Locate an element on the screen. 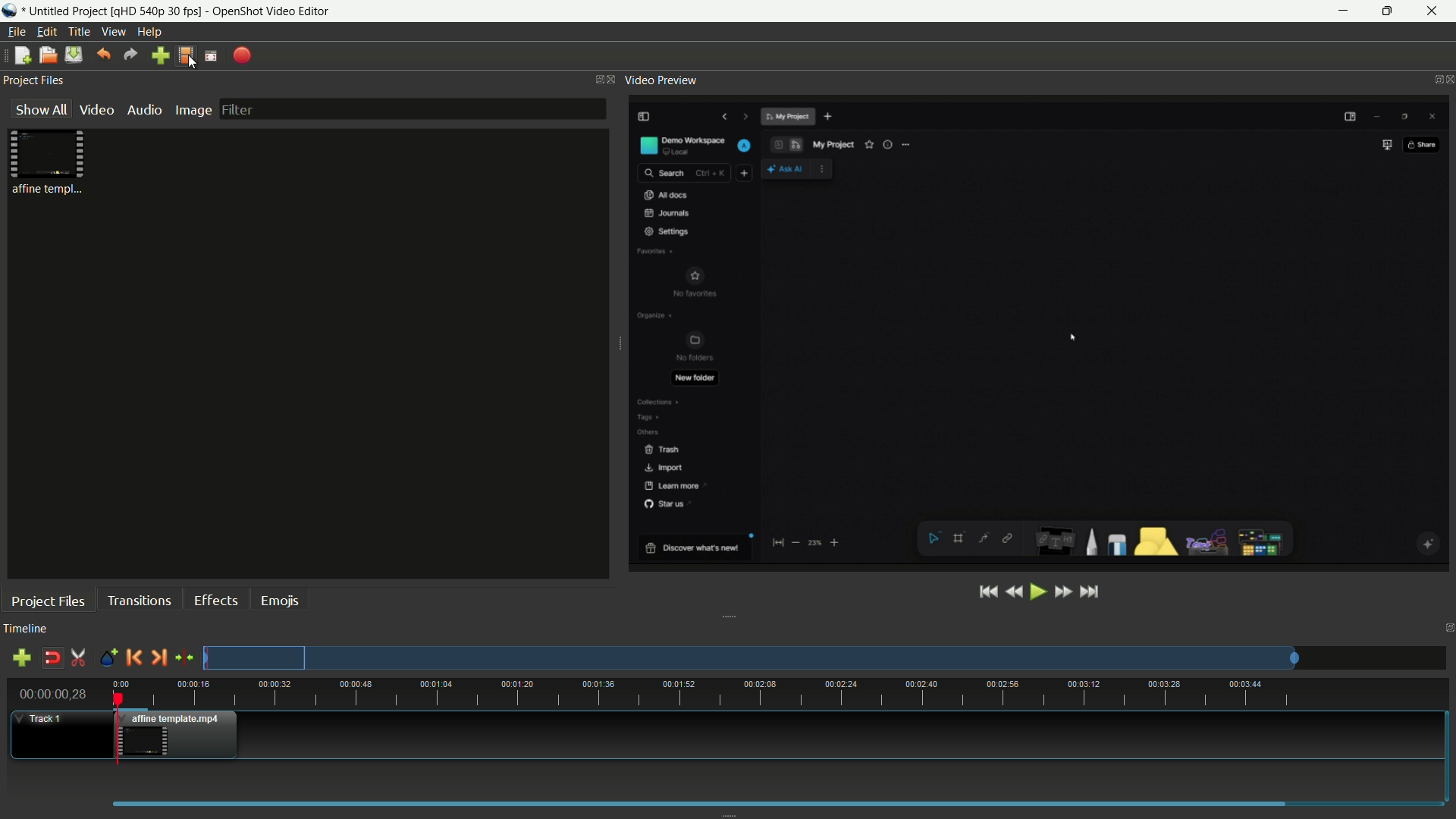 This screenshot has width=1456, height=819. change layout is located at coordinates (594, 78).